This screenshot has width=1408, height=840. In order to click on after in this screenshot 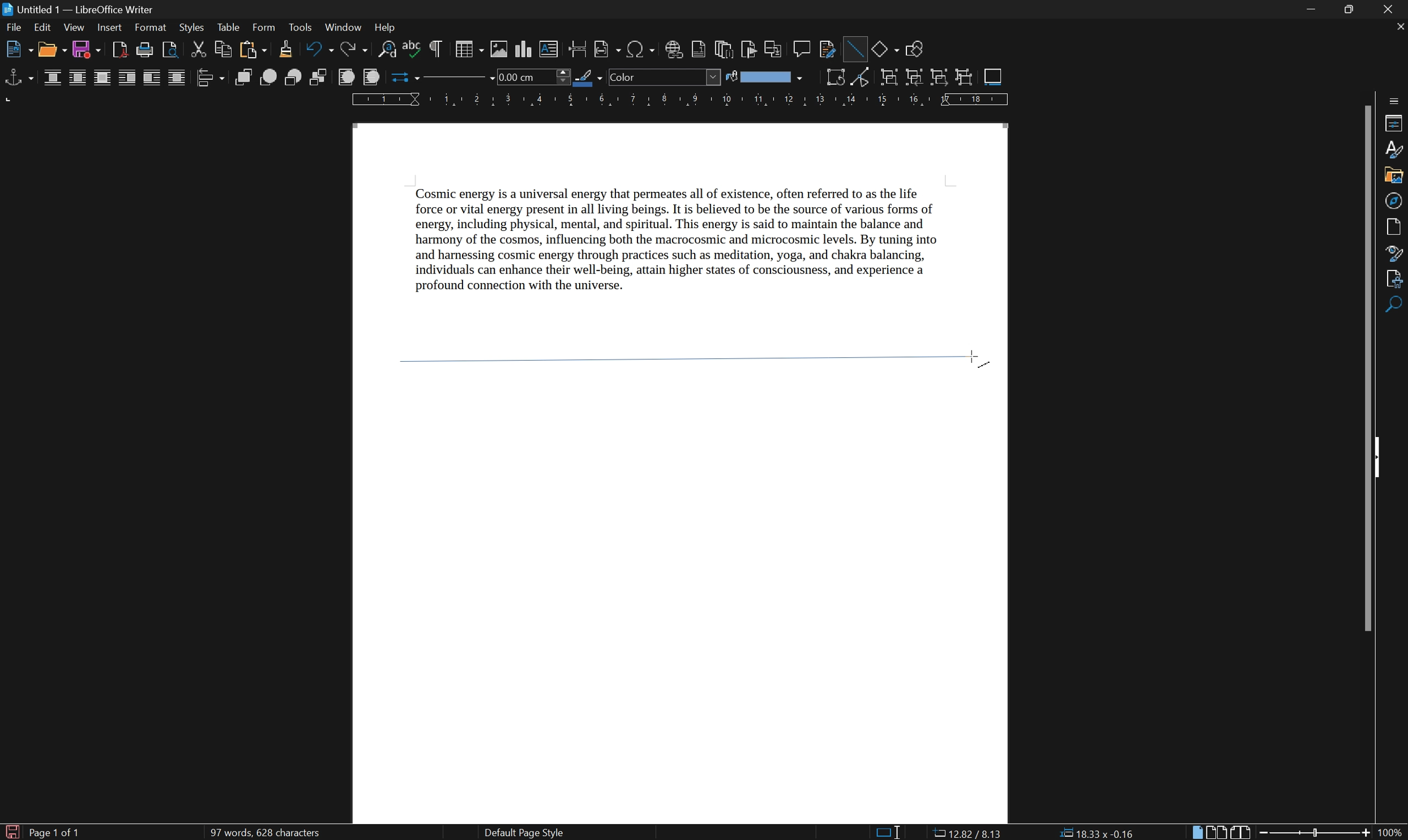, I will do `click(152, 79)`.